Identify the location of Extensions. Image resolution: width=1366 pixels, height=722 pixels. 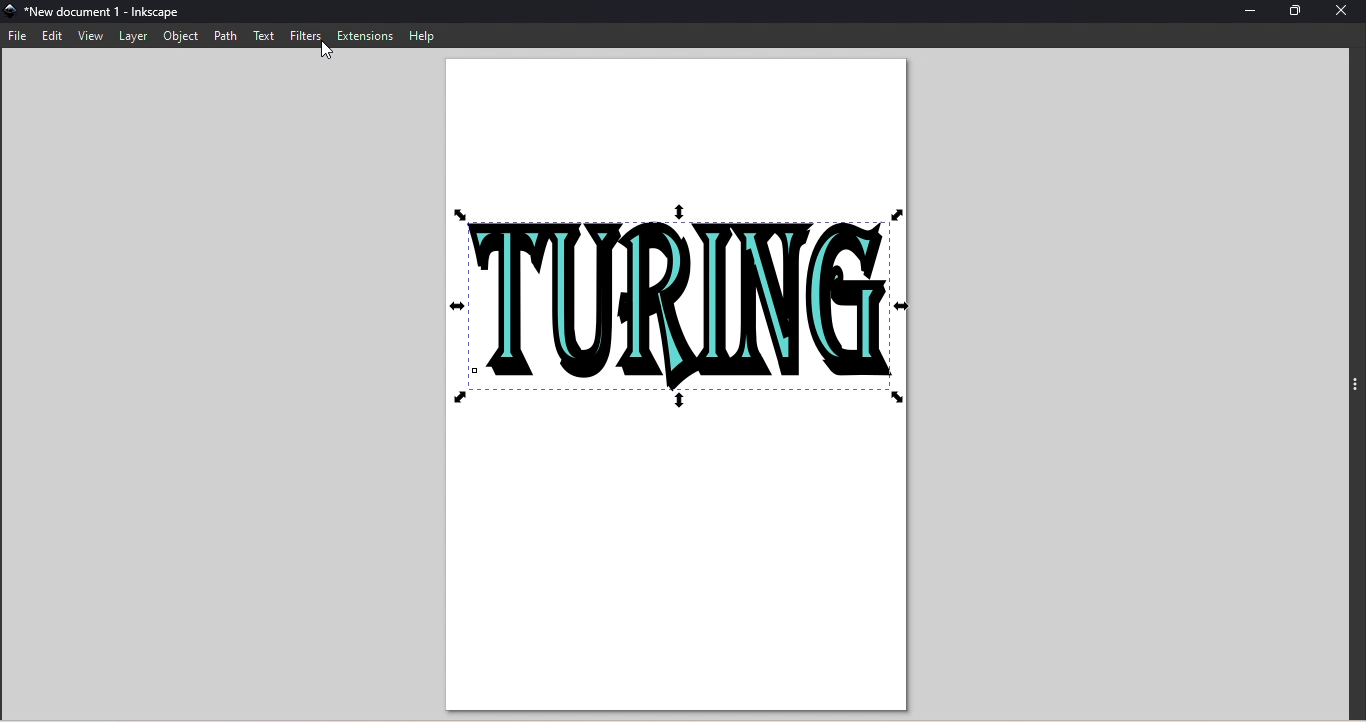
(364, 34).